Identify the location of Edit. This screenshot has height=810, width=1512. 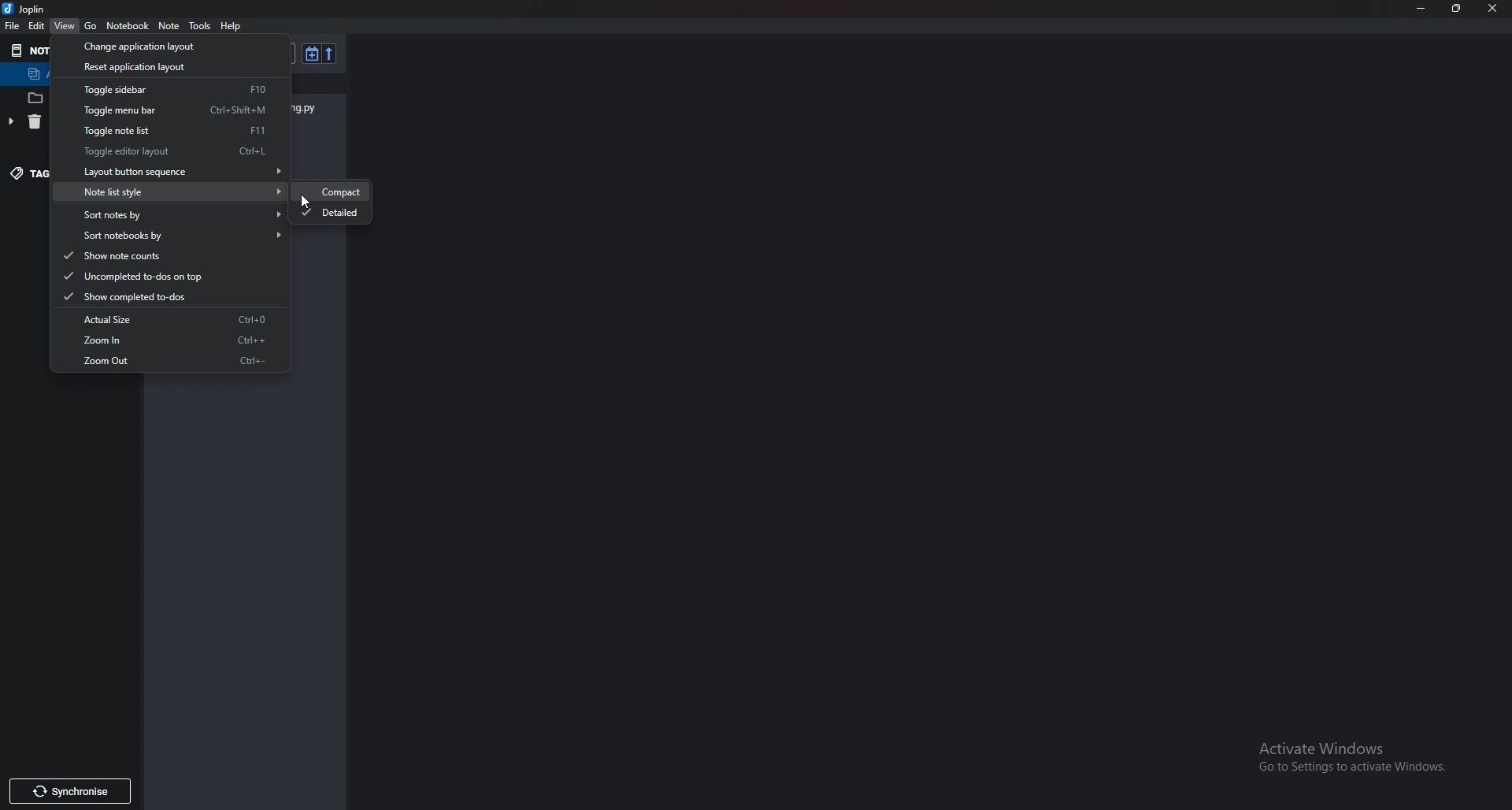
(37, 26).